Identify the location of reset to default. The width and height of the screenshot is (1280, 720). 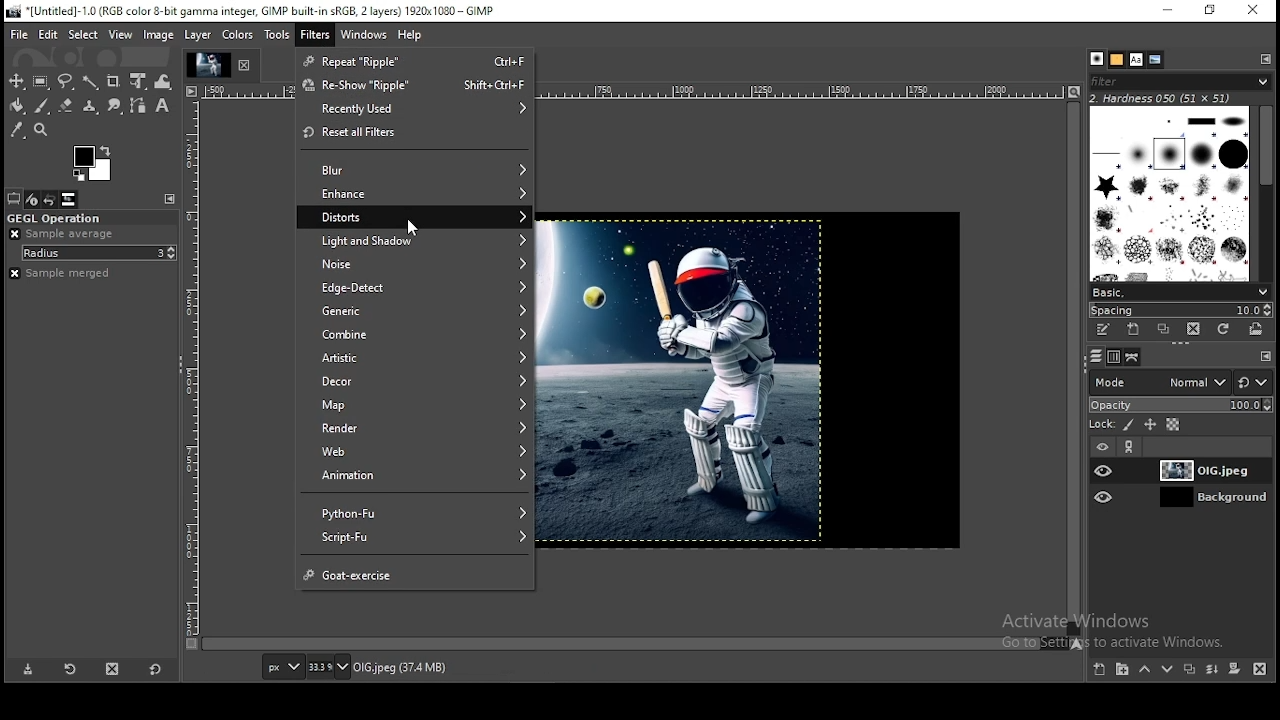
(154, 670).